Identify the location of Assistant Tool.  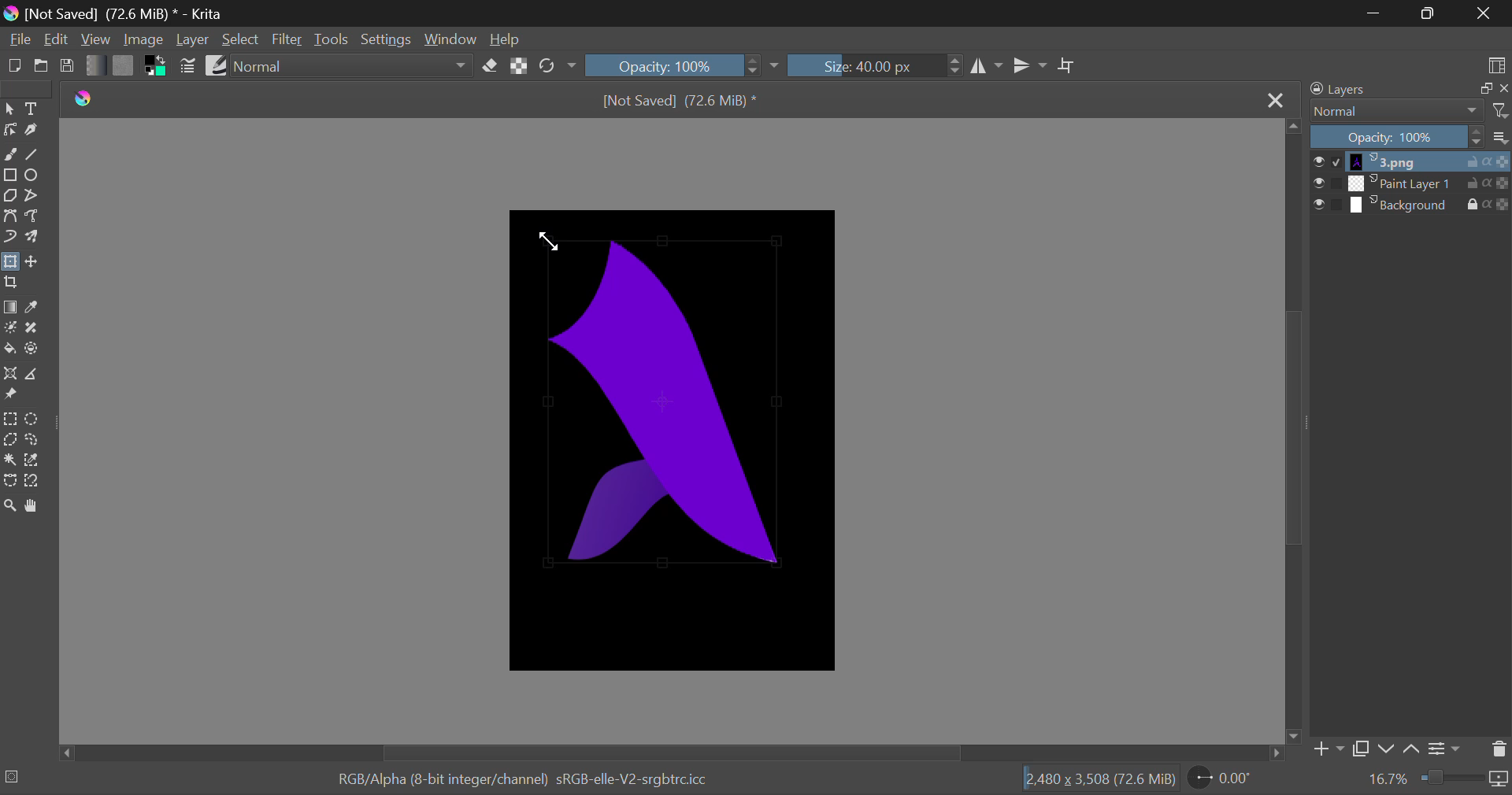
(9, 374).